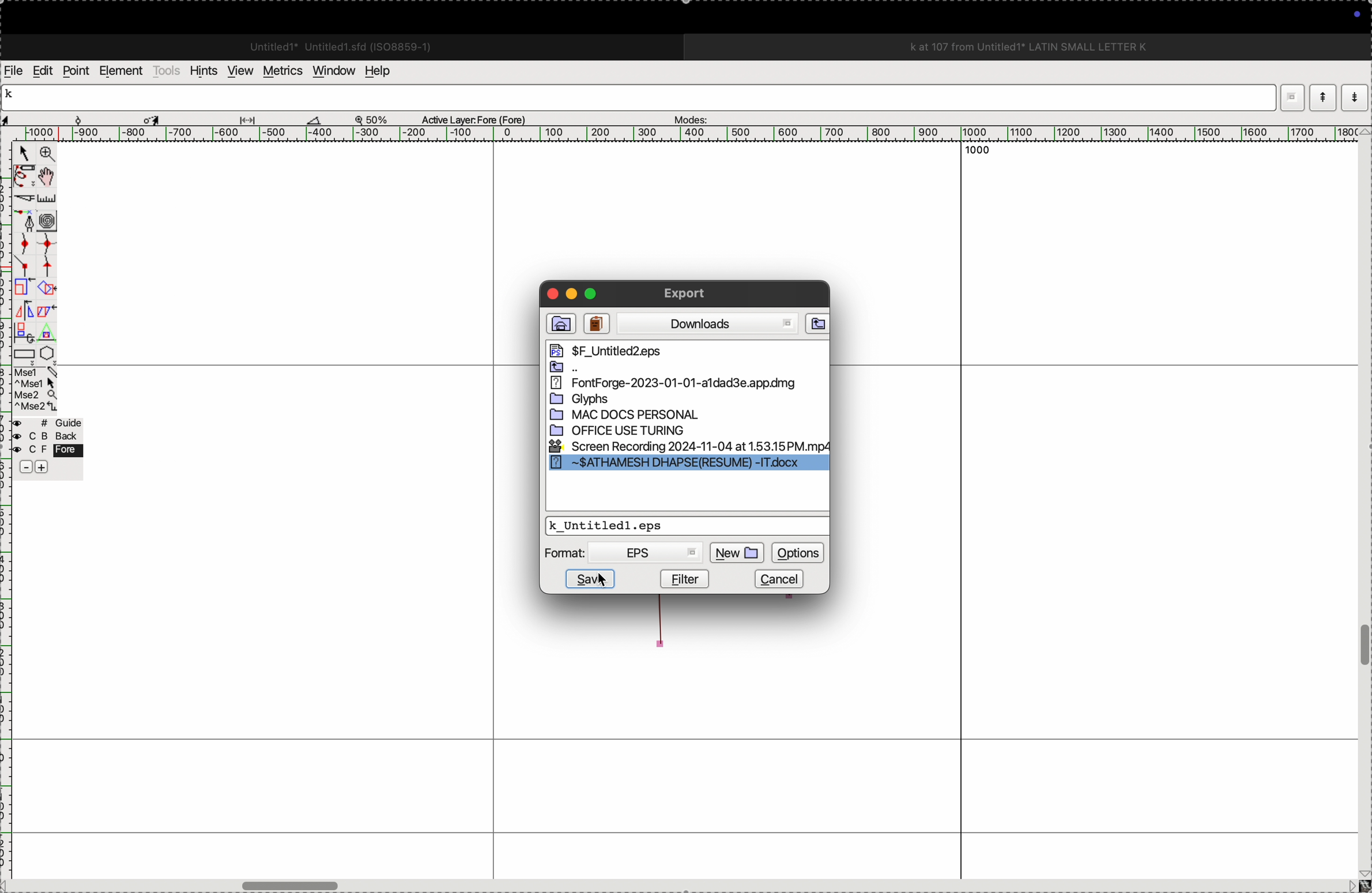  I want to click on paste, so click(596, 324).